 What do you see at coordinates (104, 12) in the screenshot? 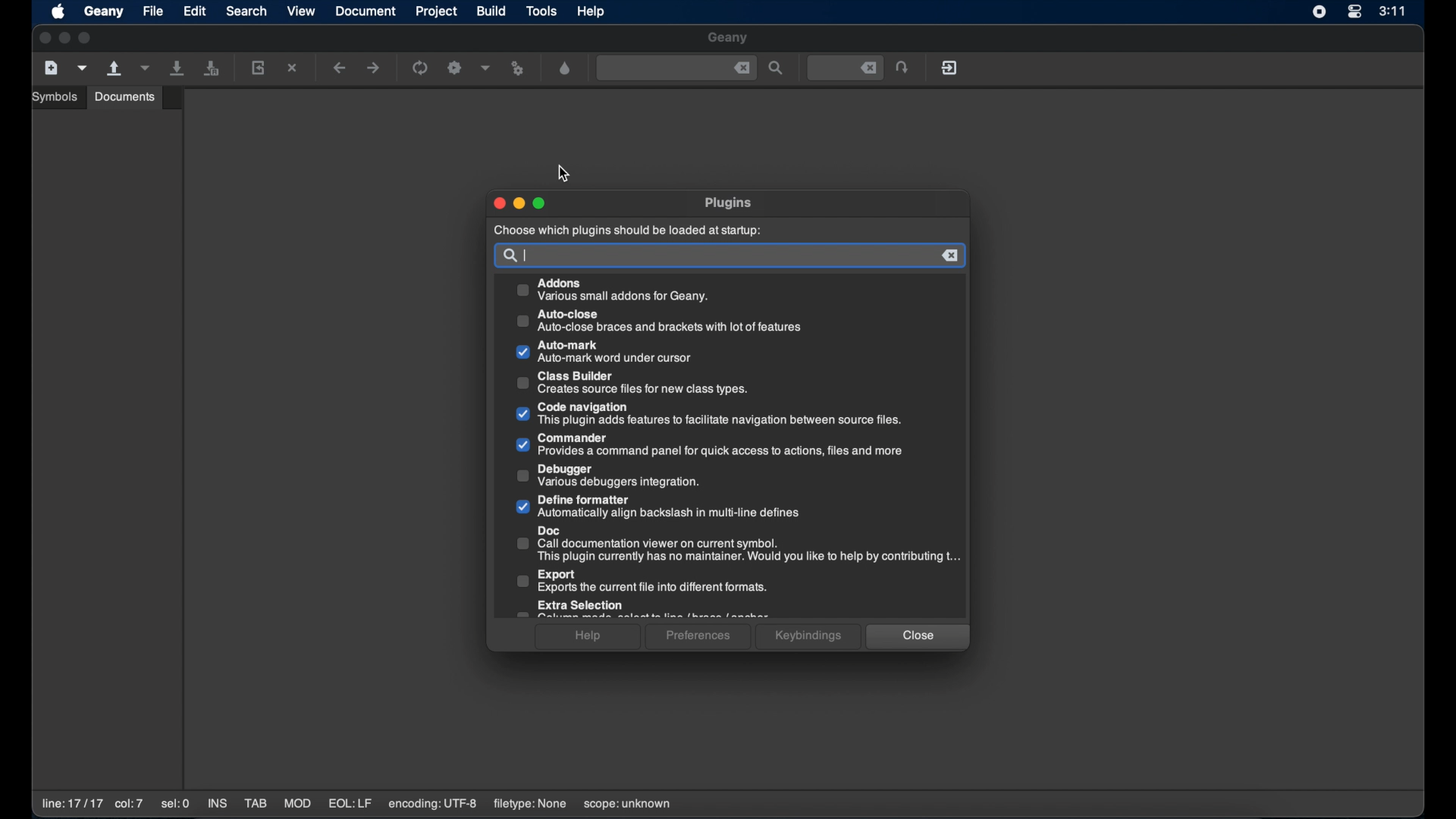
I see `geany` at bounding box center [104, 12].